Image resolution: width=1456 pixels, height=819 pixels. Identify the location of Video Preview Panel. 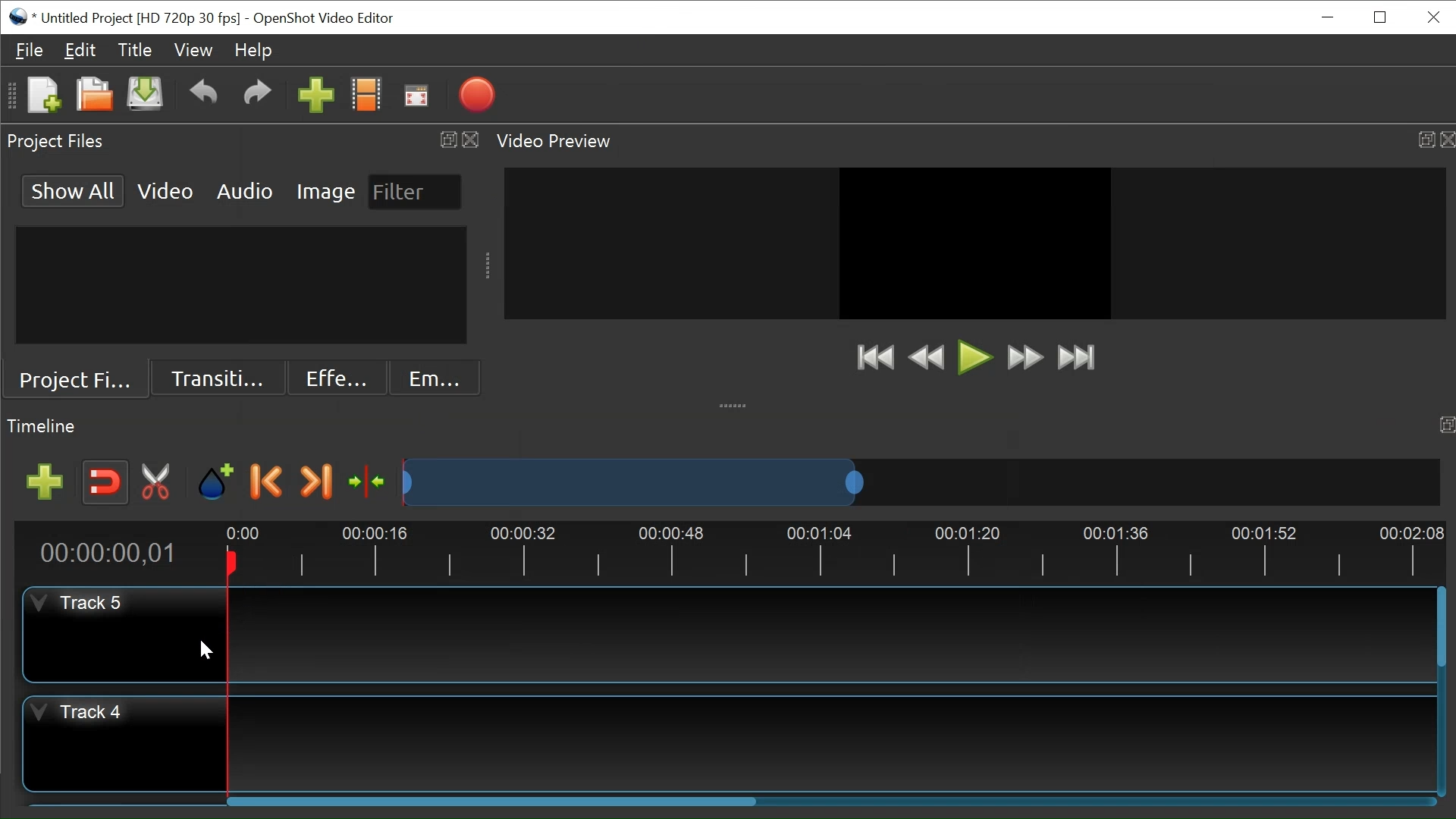
(972, 141).